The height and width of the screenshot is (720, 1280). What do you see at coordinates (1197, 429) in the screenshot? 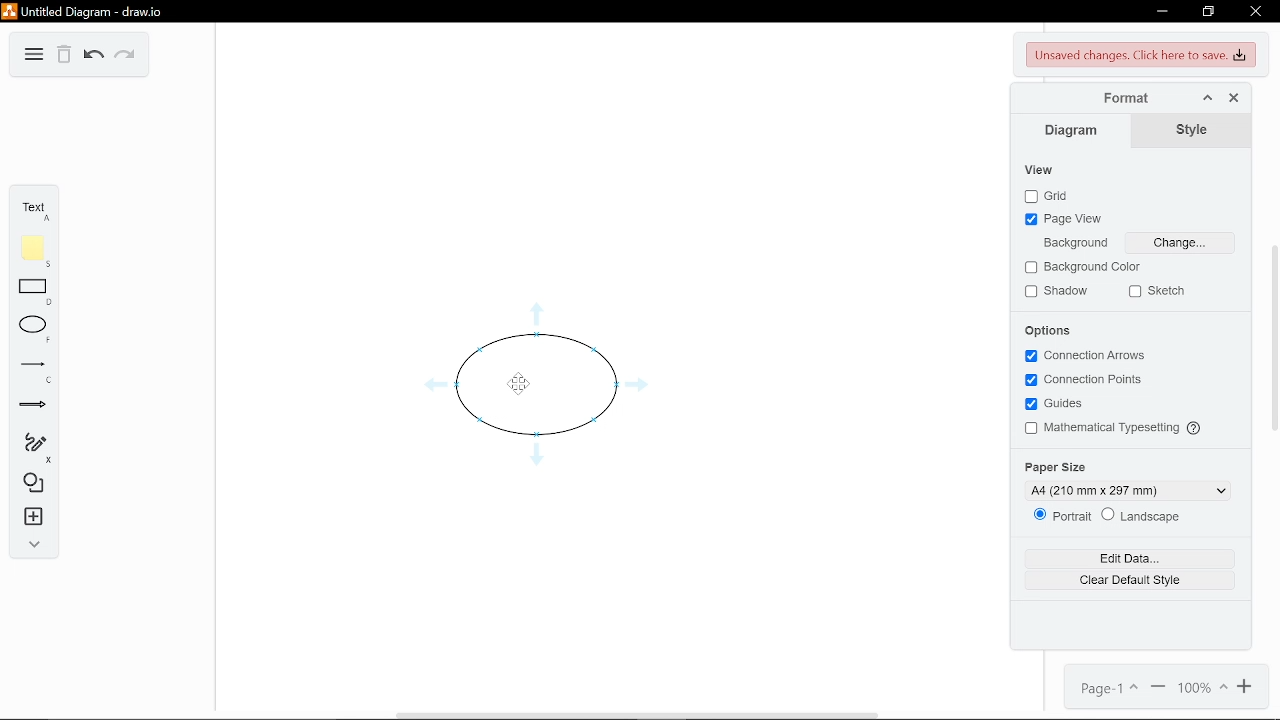
I see `` at bounding box center [1197, 429].